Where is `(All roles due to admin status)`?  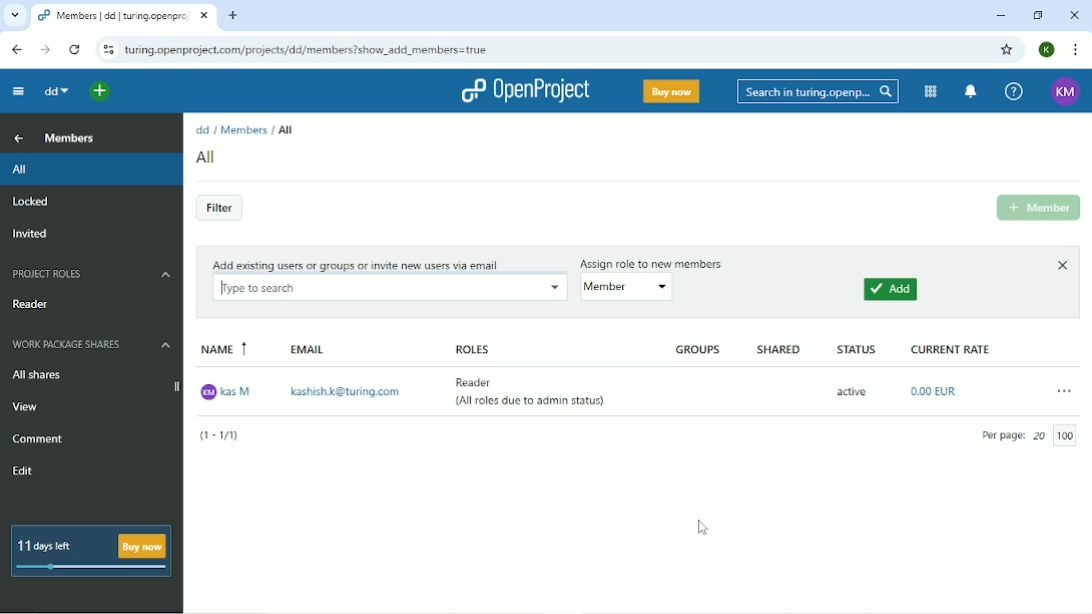
(All roles due to admin status) is located at coordinates (532, 405).